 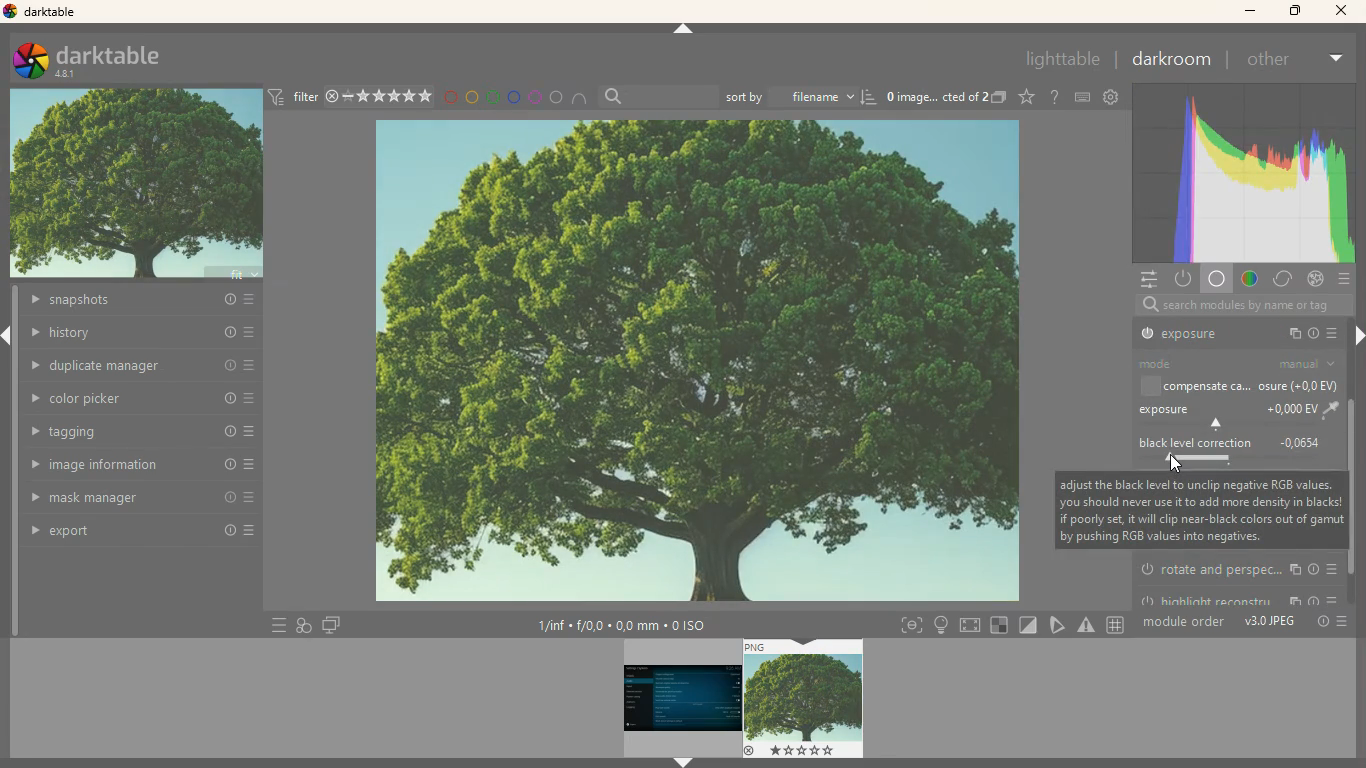 I want to click on info, so click(x=1316, y=335).